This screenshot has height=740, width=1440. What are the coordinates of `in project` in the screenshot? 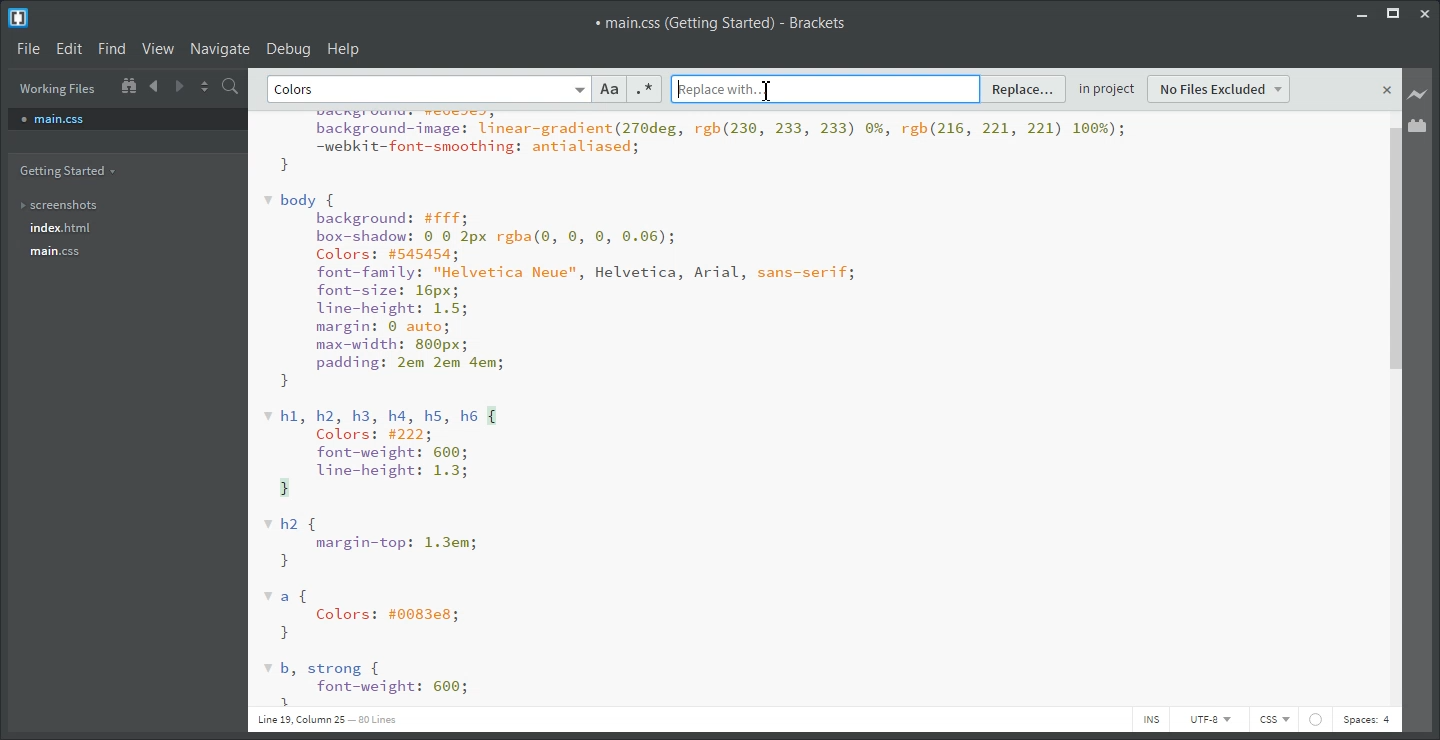 It's located at (1106, 92).